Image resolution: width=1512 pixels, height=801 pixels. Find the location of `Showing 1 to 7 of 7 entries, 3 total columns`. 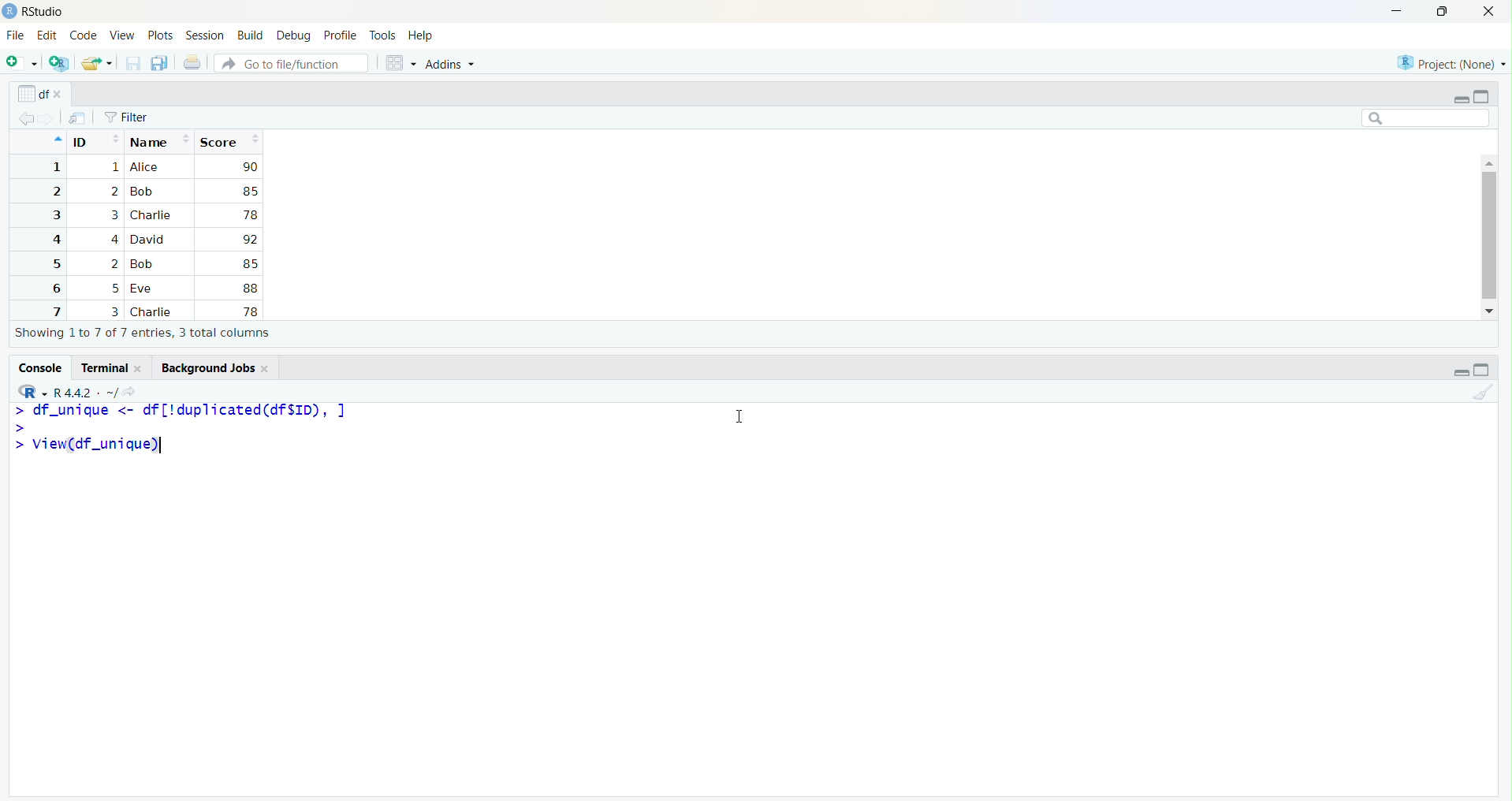

Showing 1 to 7 of 7 entries, 3 total columns is located at coordinates (143, 333).